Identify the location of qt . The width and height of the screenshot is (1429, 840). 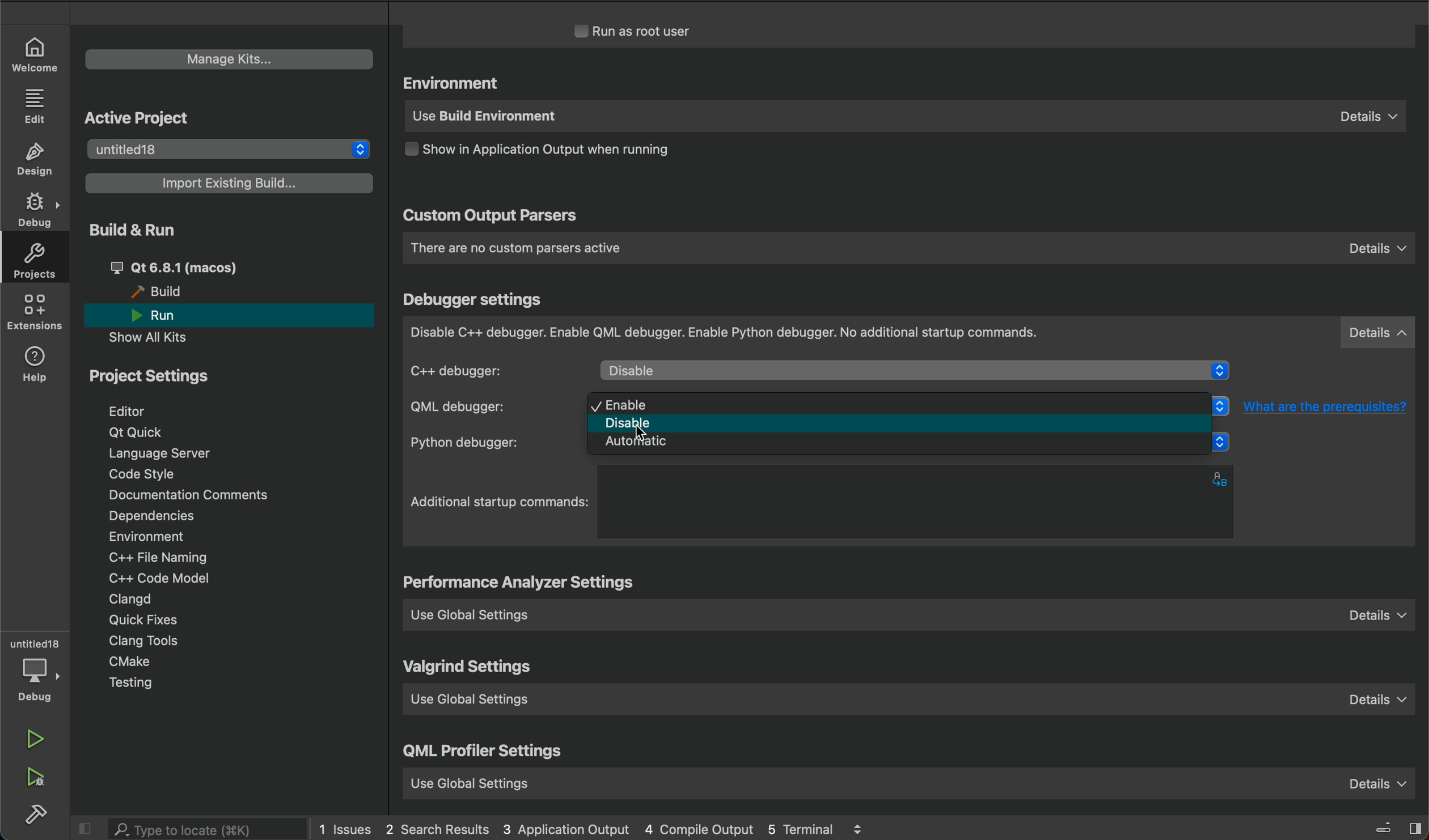
(139, 431).